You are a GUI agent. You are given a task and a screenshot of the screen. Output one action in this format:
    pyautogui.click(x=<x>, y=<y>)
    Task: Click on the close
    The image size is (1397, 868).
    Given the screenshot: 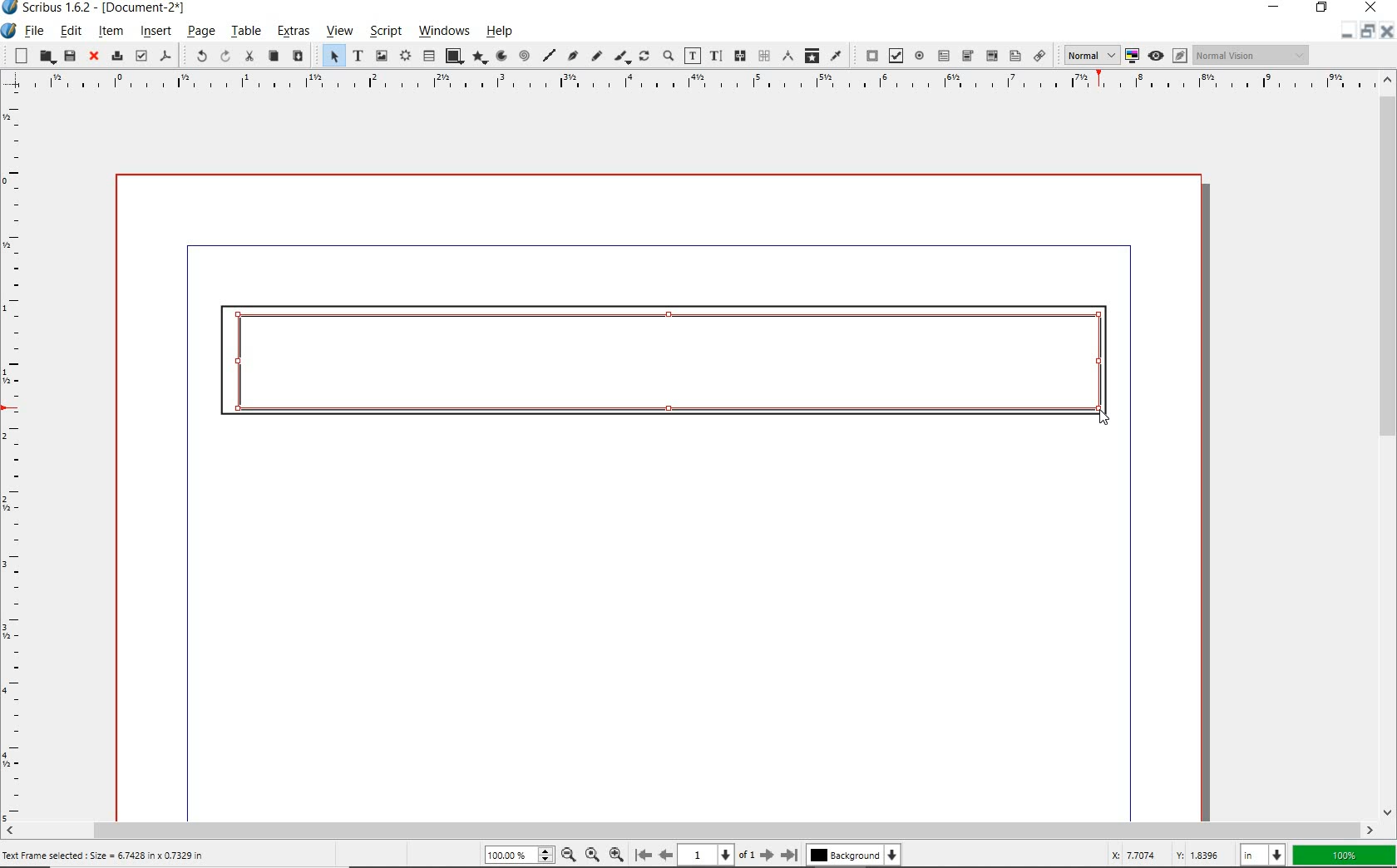 What is the action you would take?
    pyautogui.click(x=95, y=57)
    